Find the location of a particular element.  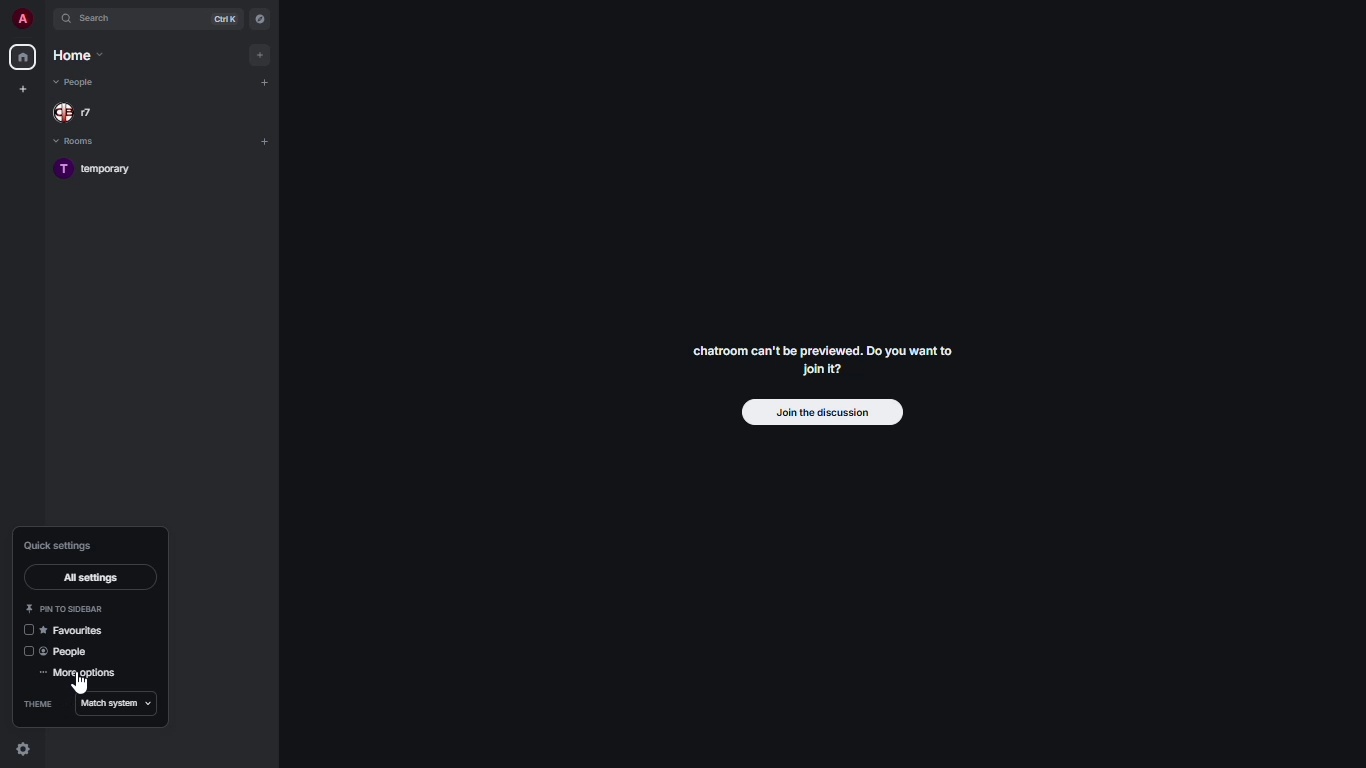

chatroom can't be previewed is located at coordinates (823, 363).